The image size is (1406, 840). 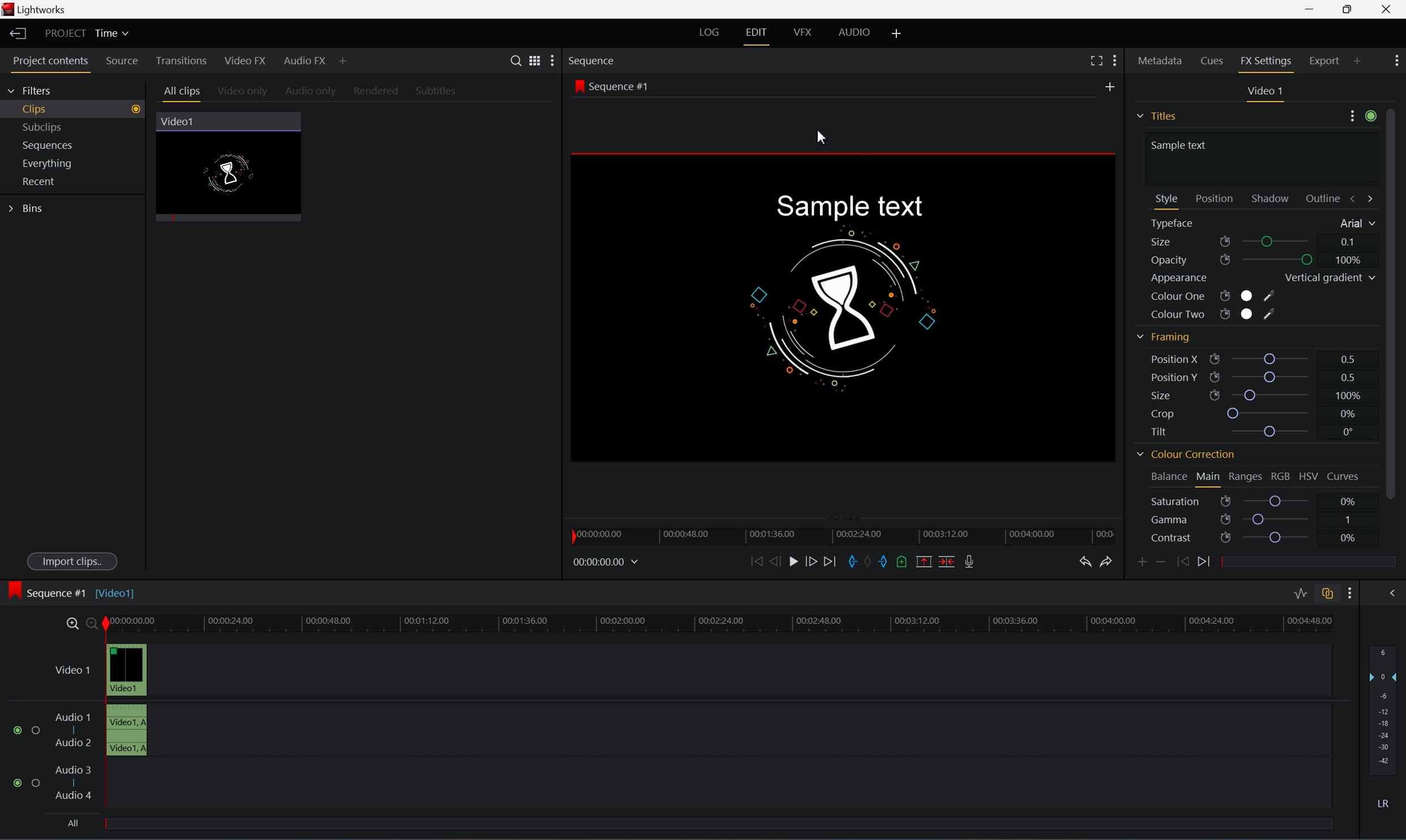 What do you see at coordinates (14, 592) in the screenshot?
I see `image` at bounding box center [14, 592].